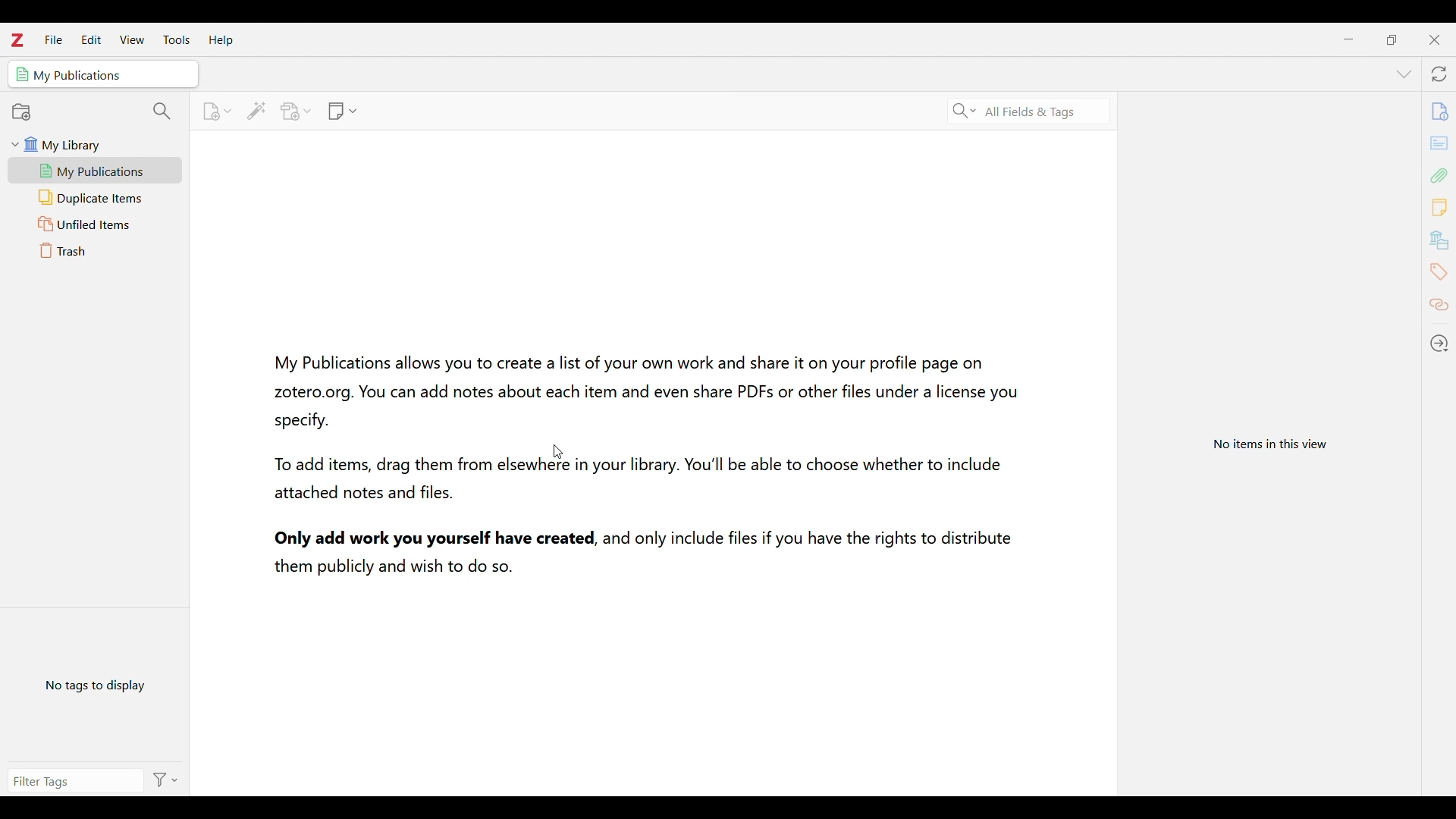  Describe the element at coordinates (1439, 143) in the screenshot. I see `Abstract` at that location.